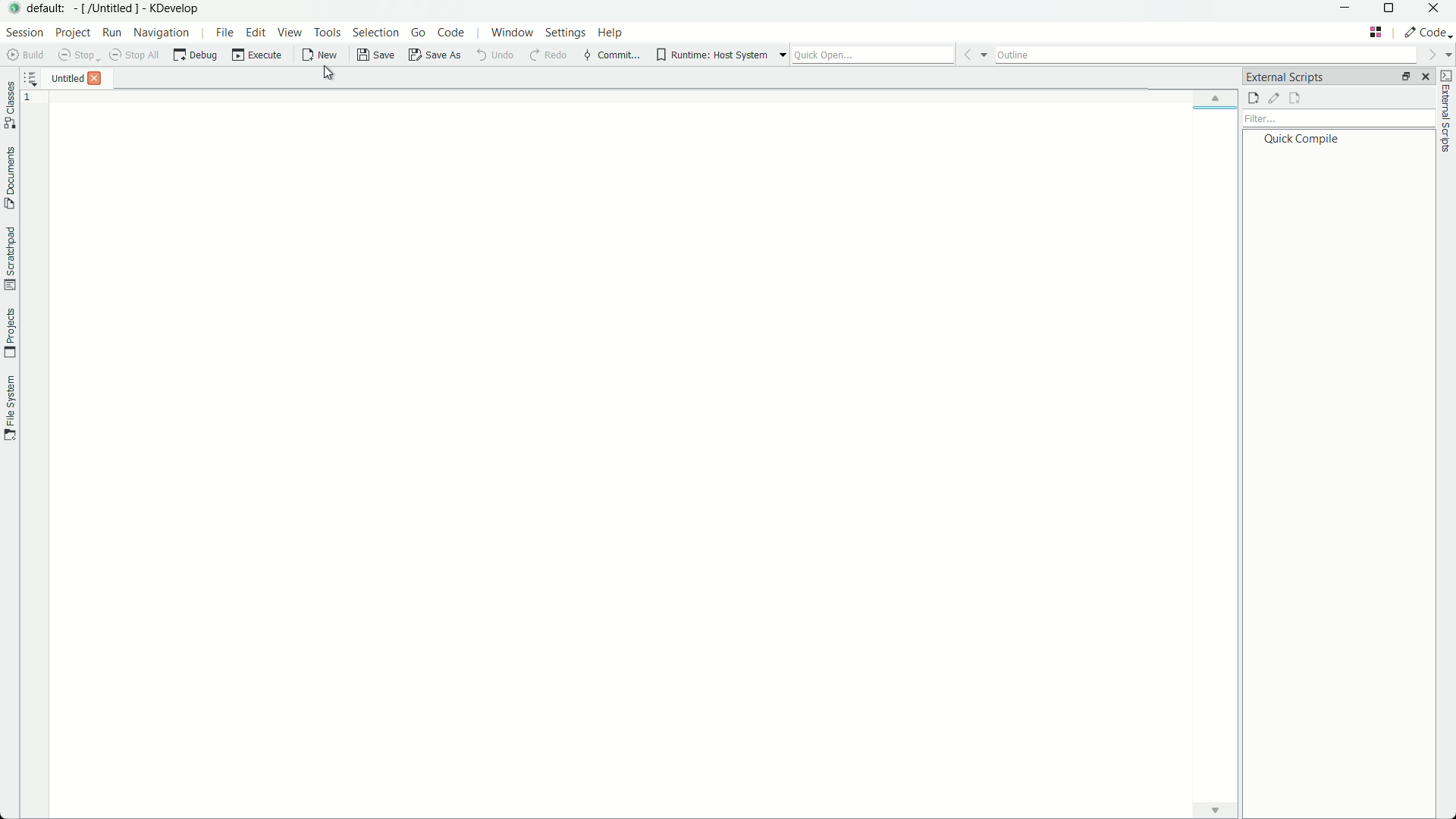  I want to click on remove external scripts, so click(1294, 99).